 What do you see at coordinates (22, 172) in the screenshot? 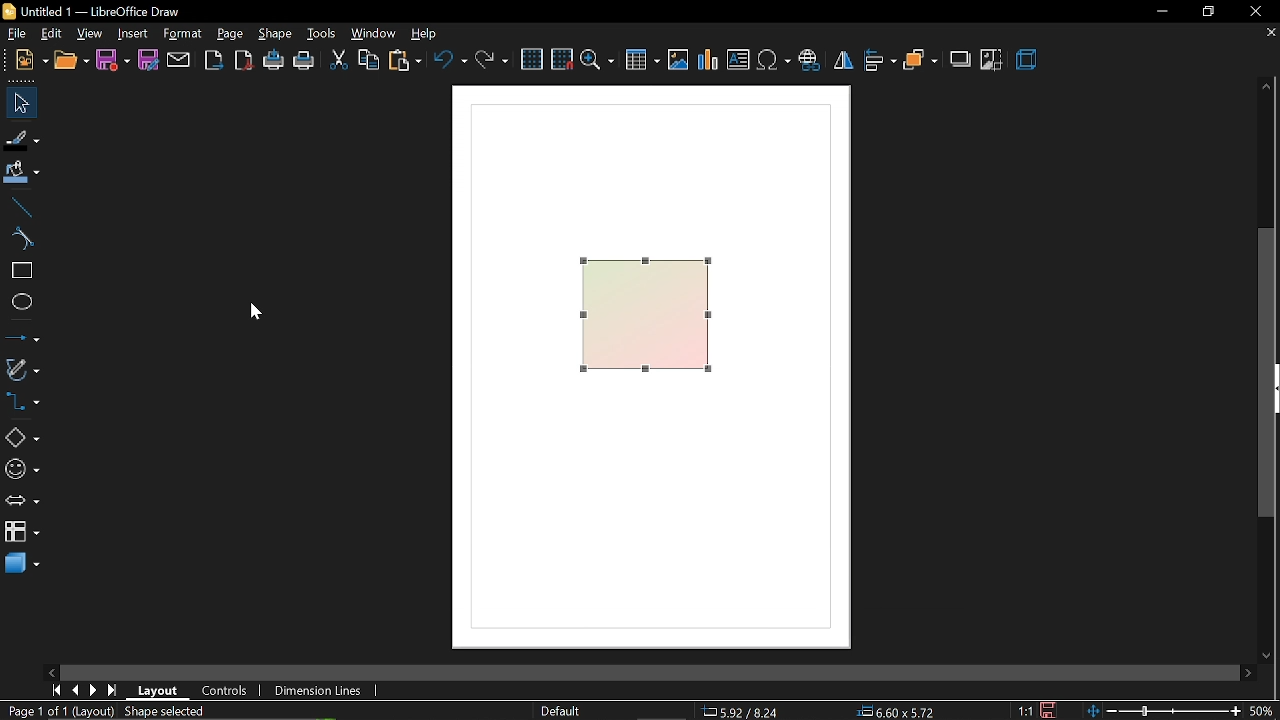
I see `fill color` at bounding box center [22, 172].